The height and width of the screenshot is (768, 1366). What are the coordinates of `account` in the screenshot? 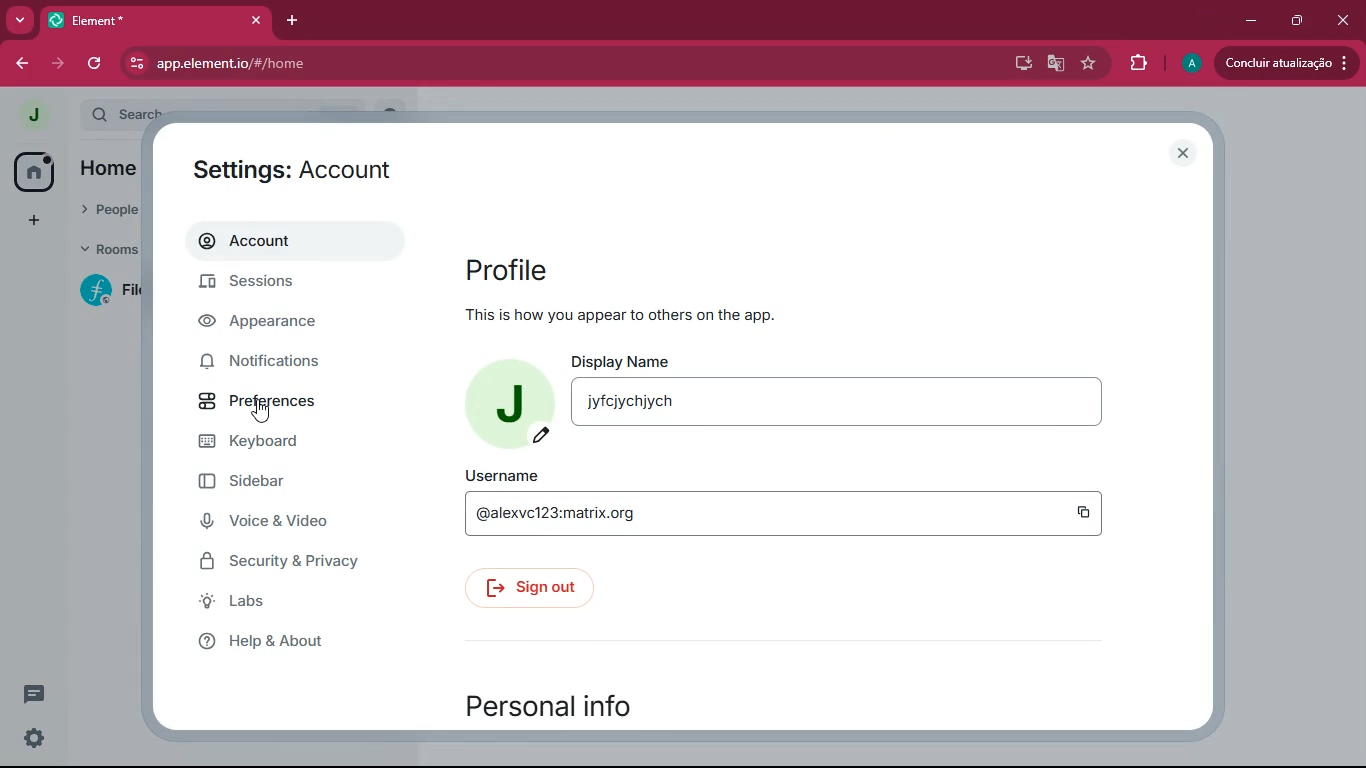 It's located at (287, 241).